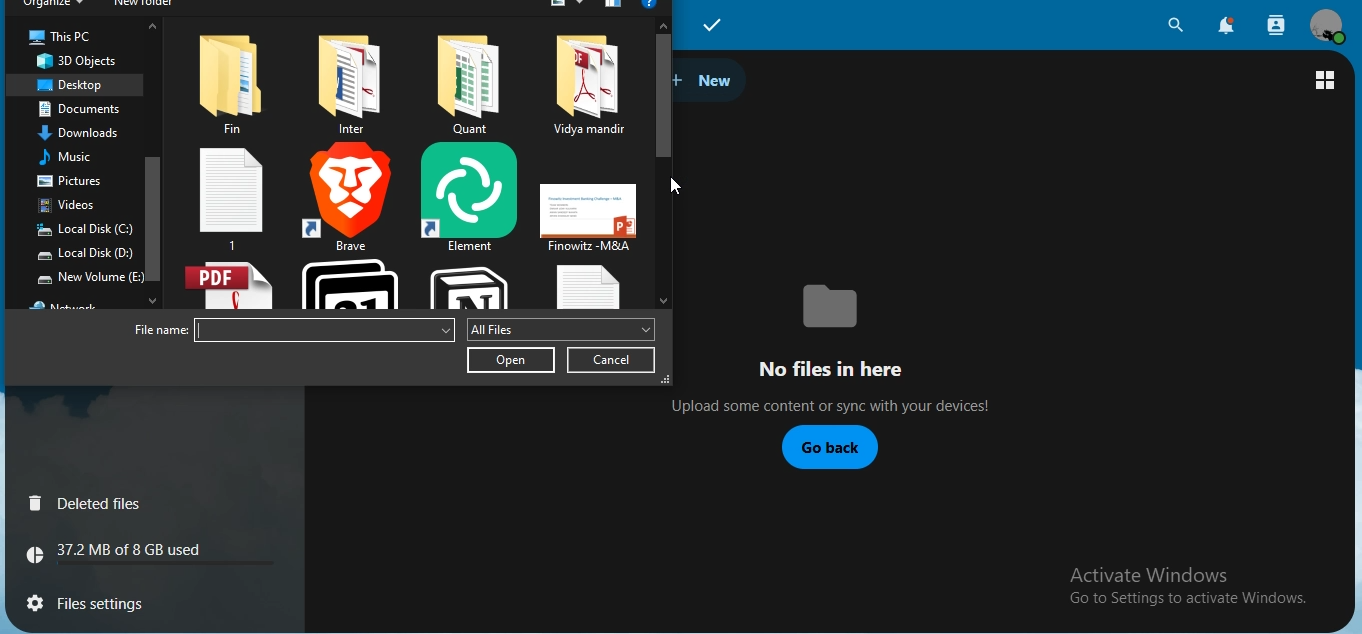 Image resolution: width=1362 pixels, height=634 pixels. I want to click on view profile, so click(1327, 26).